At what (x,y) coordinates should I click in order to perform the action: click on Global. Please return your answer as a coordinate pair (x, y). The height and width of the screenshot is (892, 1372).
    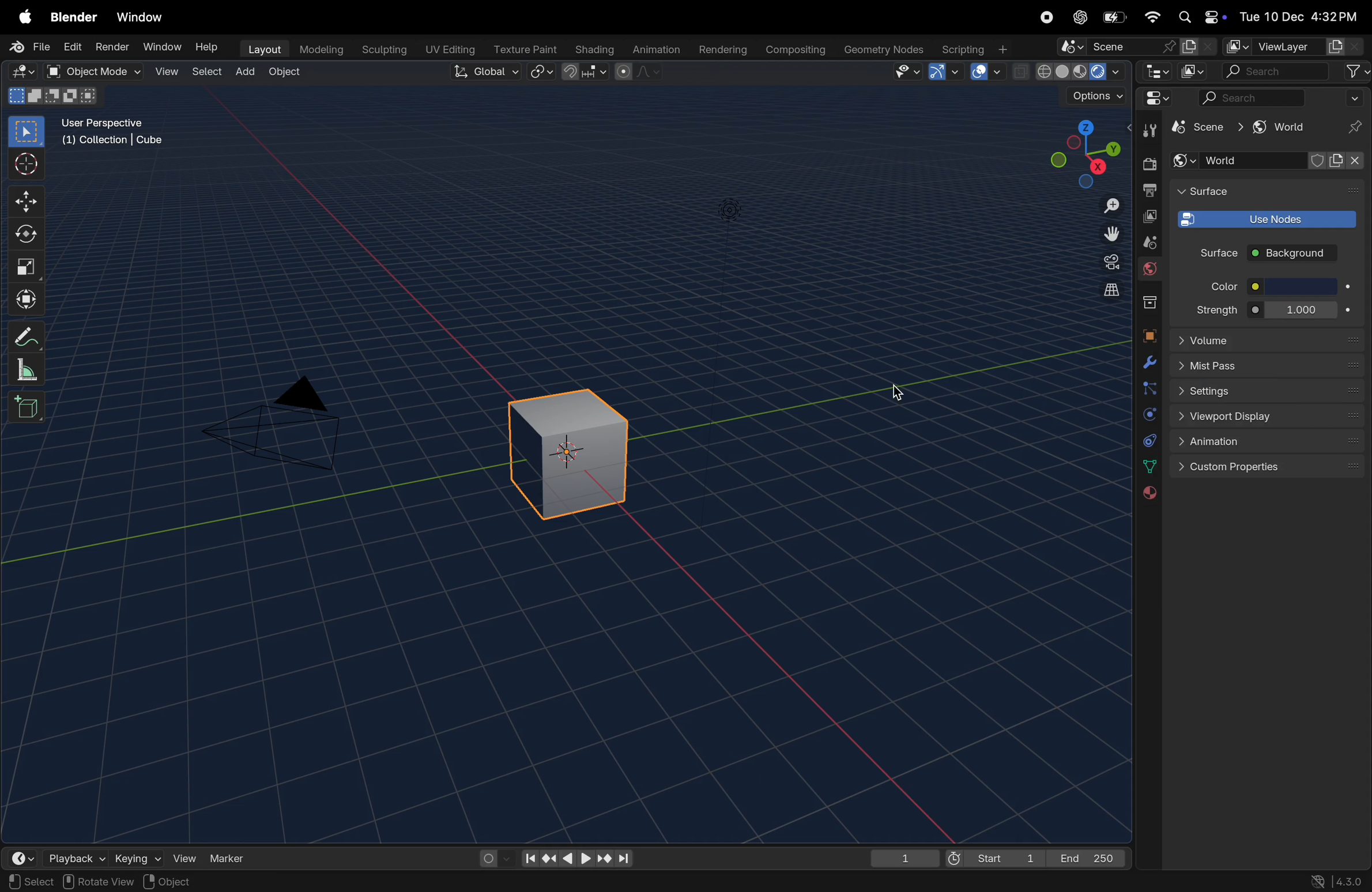
    Looking at the image, I should click on (487, 73).